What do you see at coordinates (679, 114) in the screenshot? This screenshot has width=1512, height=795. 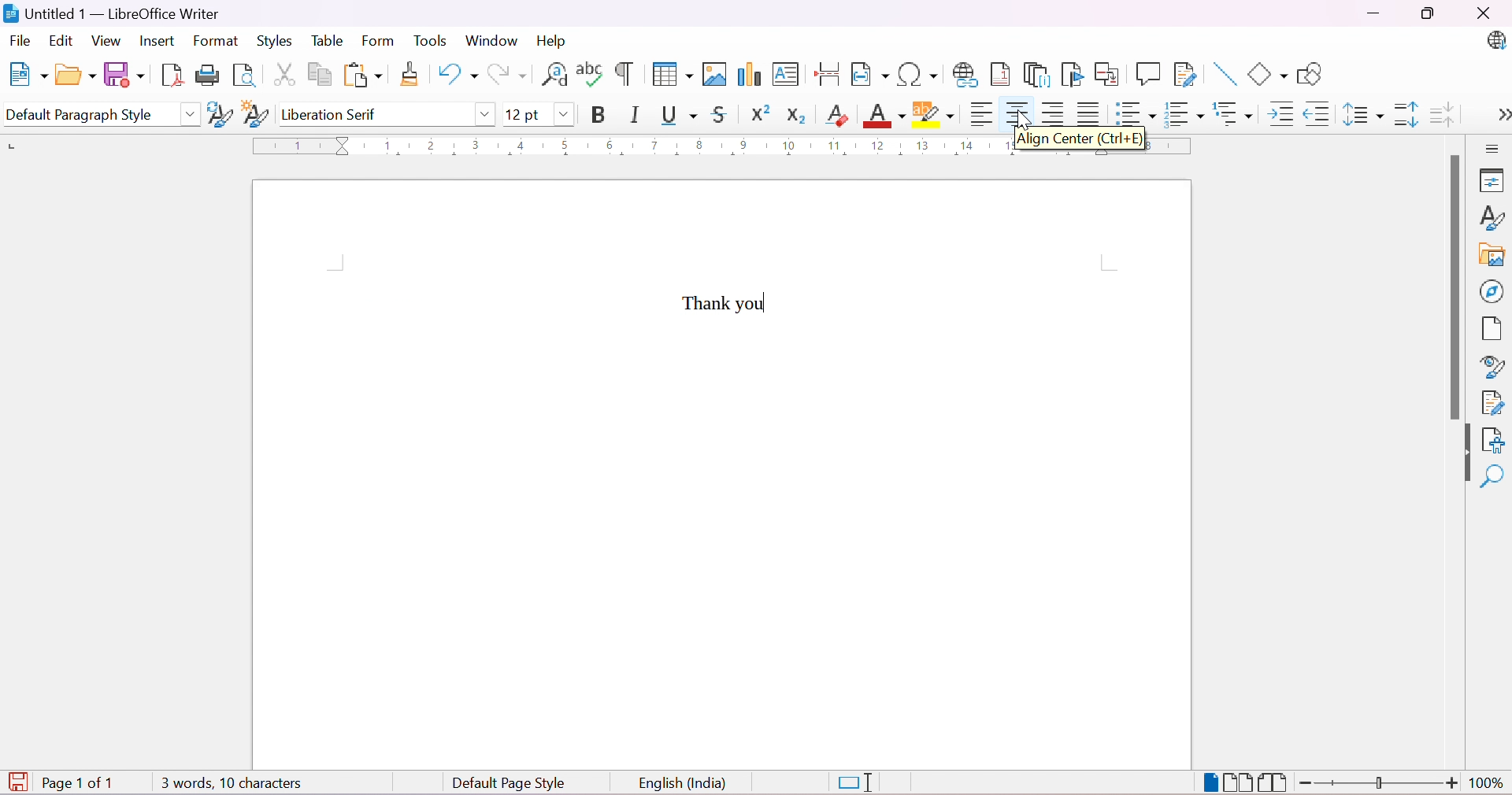 I see `Underline` at bounding box center [679, 114].